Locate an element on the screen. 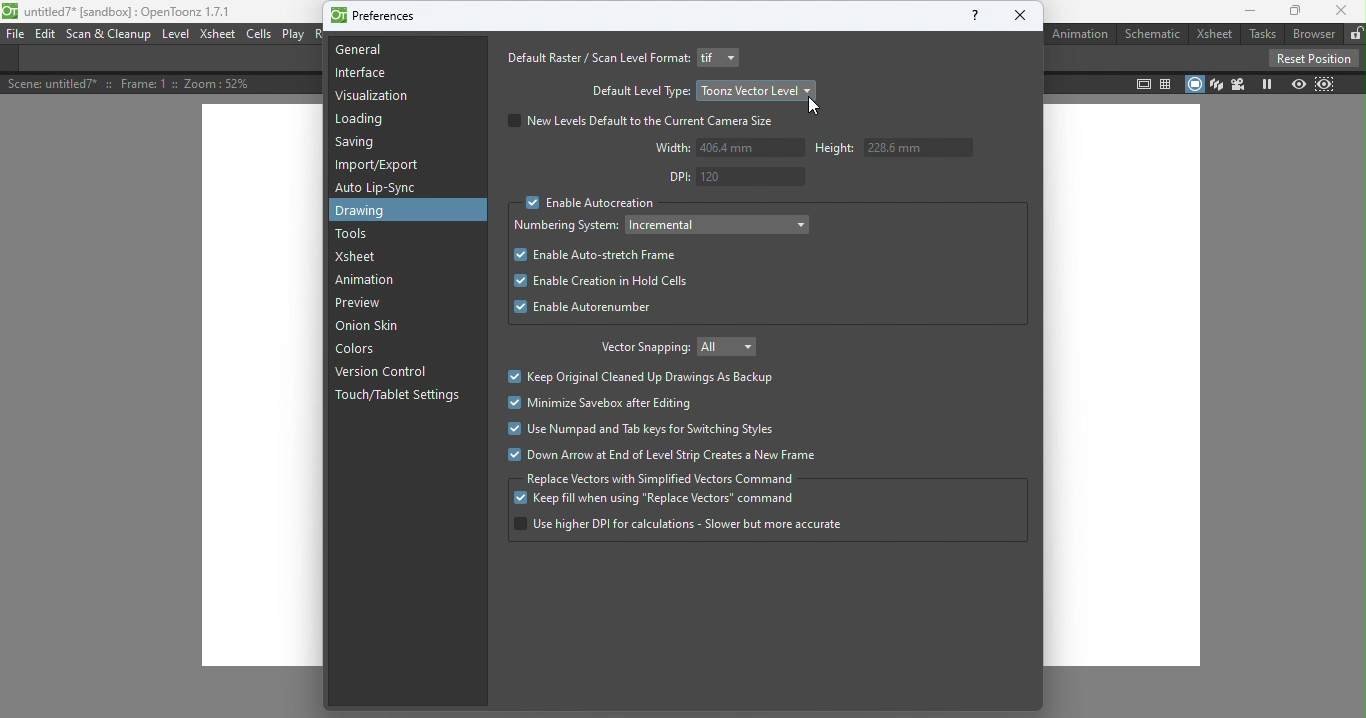  Auto lip-sync is located at coordinates (380, 188).